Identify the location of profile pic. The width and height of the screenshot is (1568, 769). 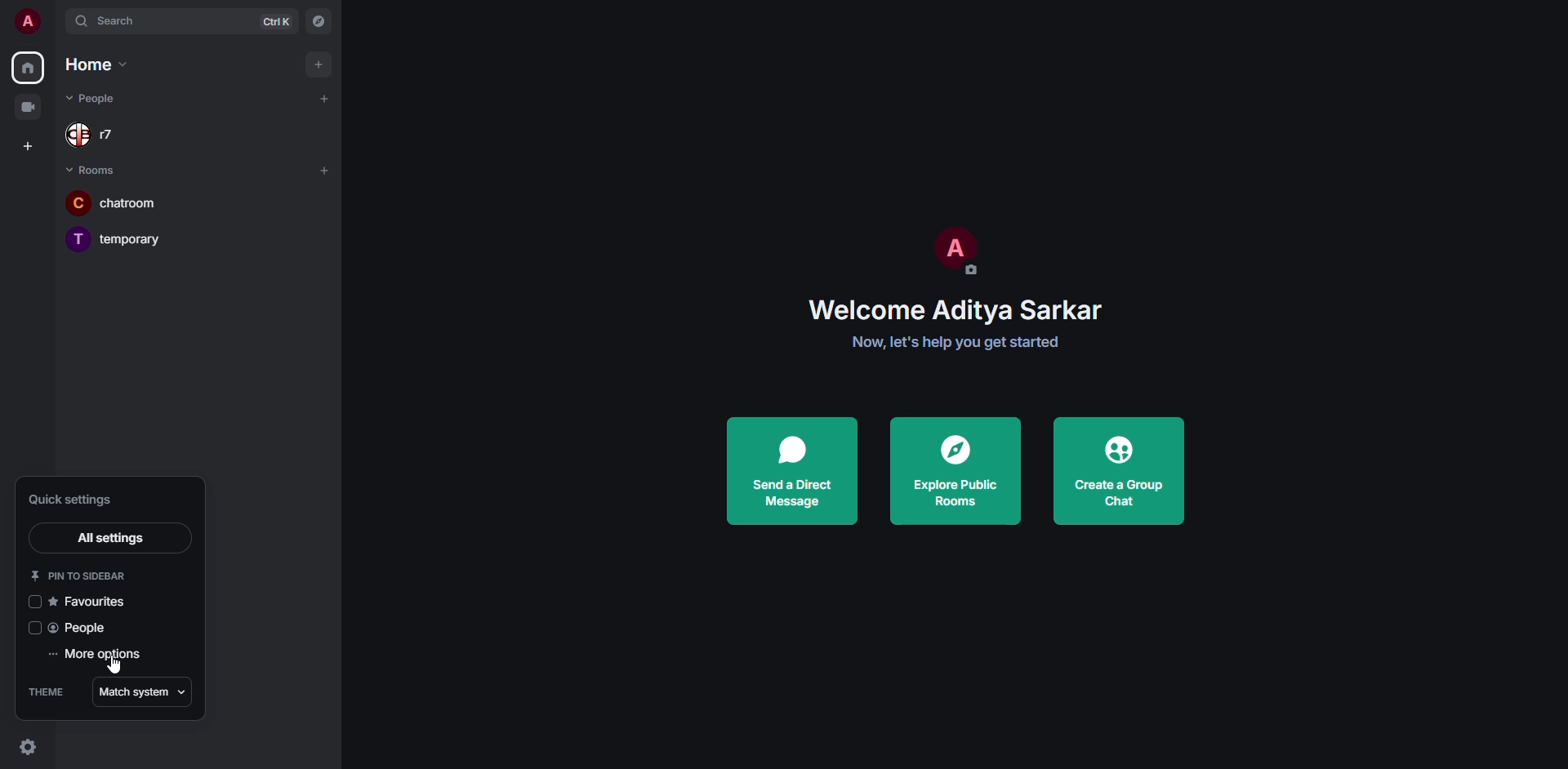
(952, 252).